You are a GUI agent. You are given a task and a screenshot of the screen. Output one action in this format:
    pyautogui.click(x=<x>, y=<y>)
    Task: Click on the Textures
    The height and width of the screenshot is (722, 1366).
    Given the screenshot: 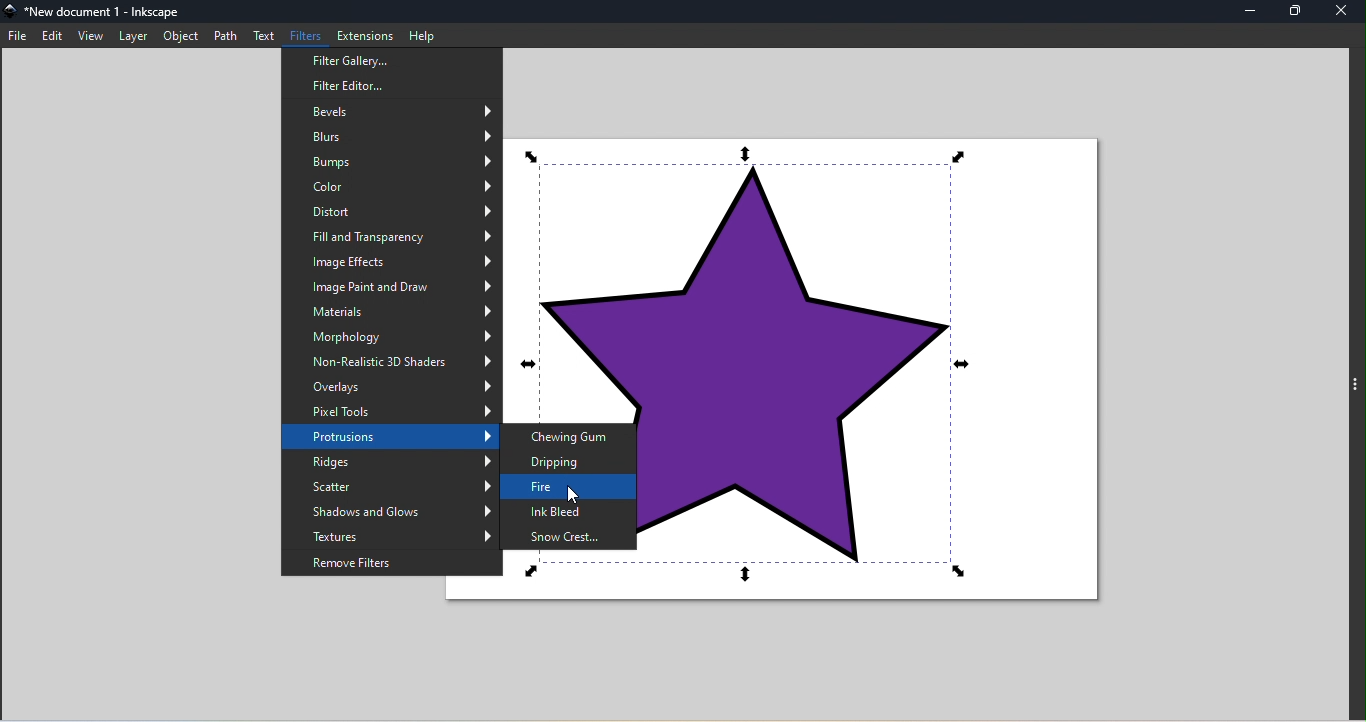 What is the action you would take?
    pyautogui.click(x=386, y=535)
    